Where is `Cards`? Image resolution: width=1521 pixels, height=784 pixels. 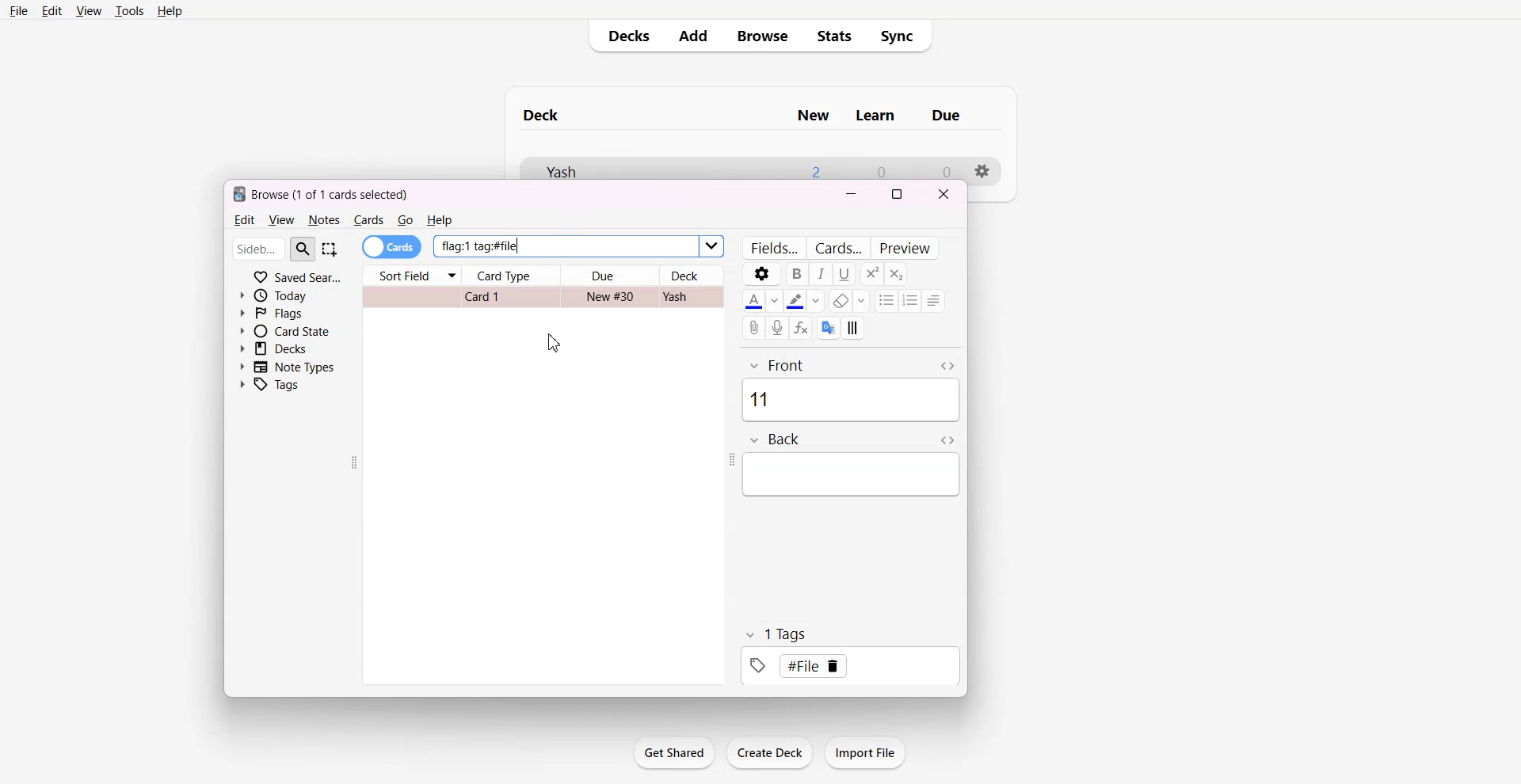 Cards is located at coordinates (840, 247).